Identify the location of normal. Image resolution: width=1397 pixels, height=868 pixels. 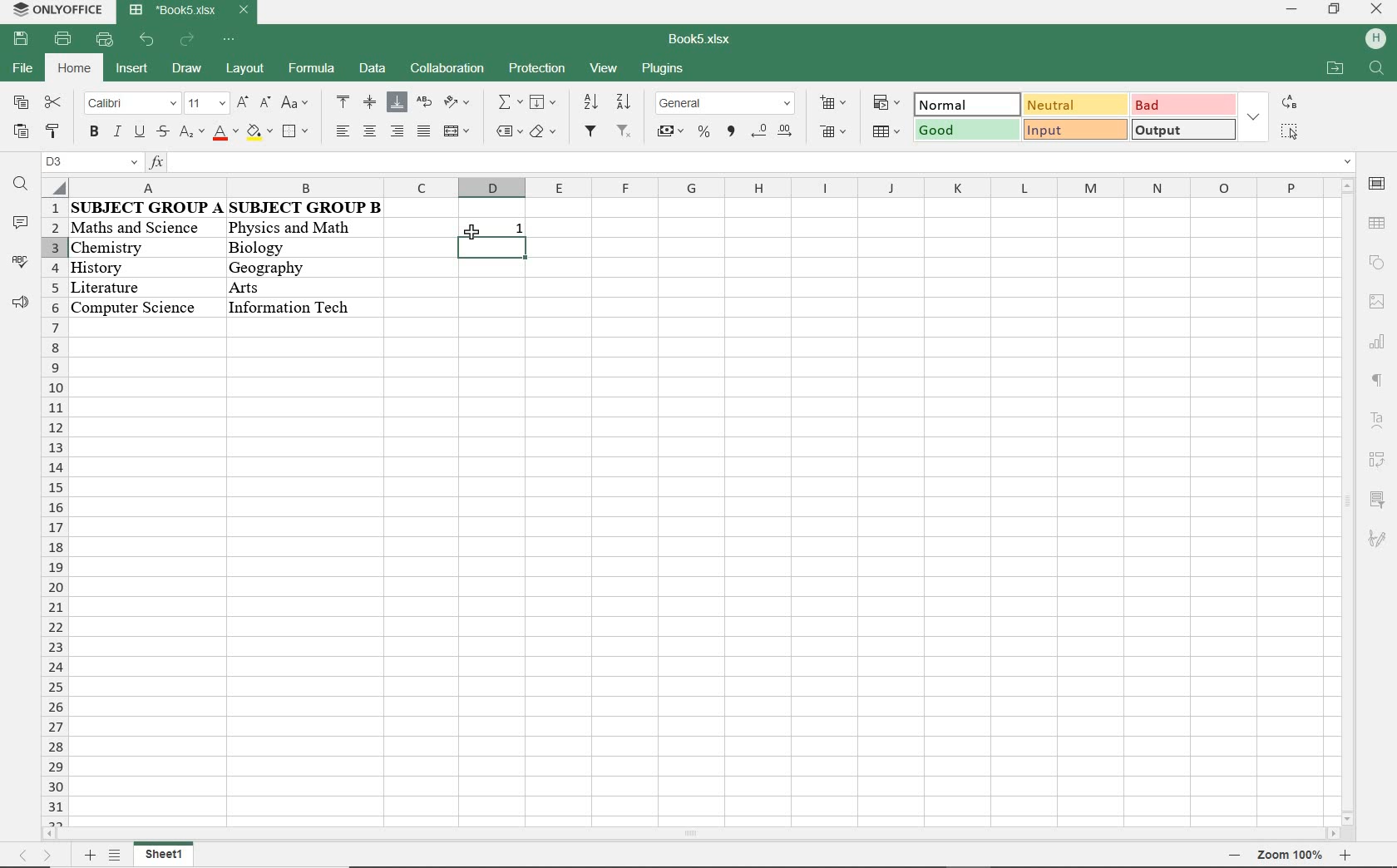
(963, 105).